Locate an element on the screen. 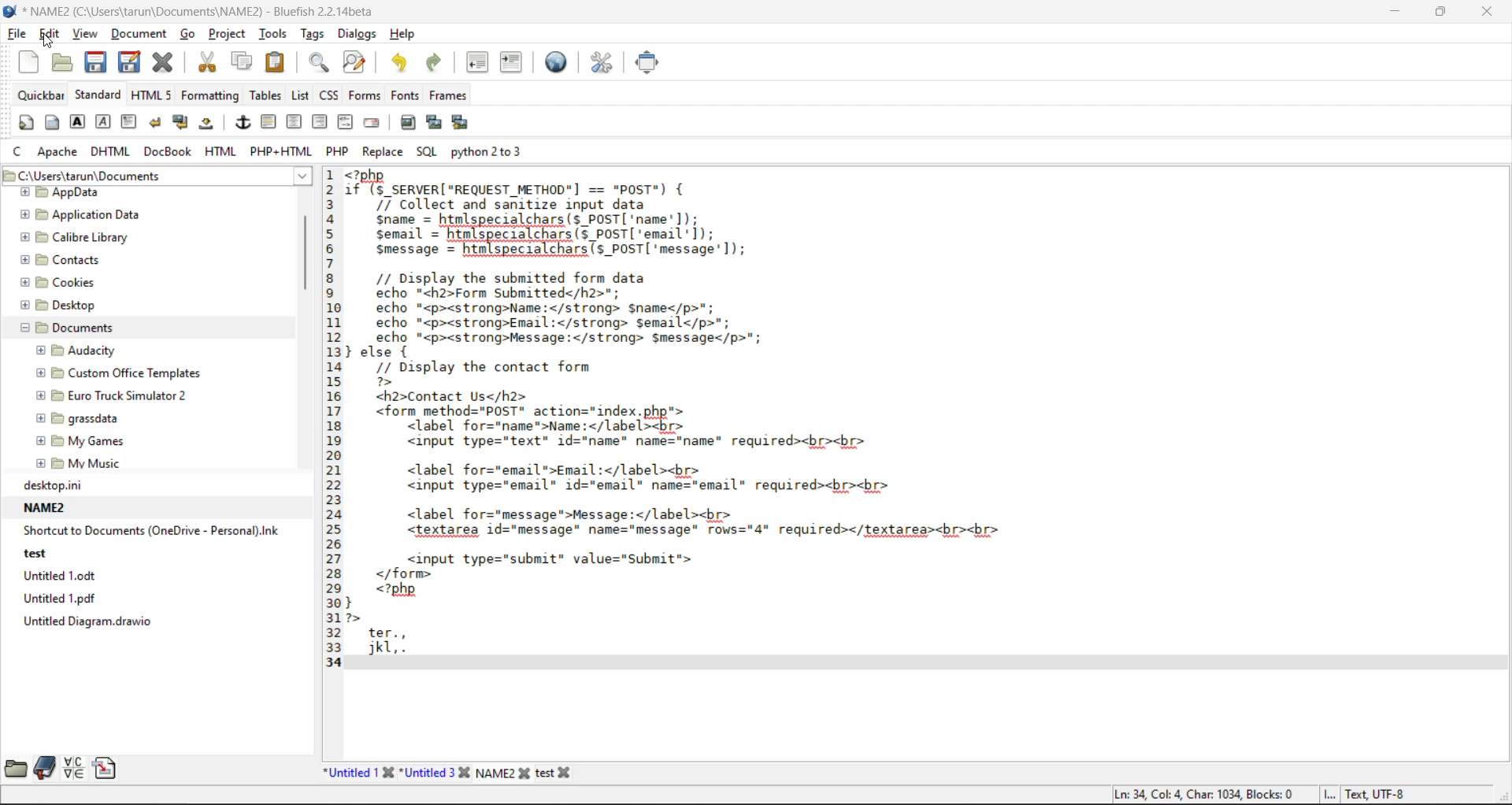 The width and height of the screenshot is (1512, 805). paste is located at coordinates (275, 64).